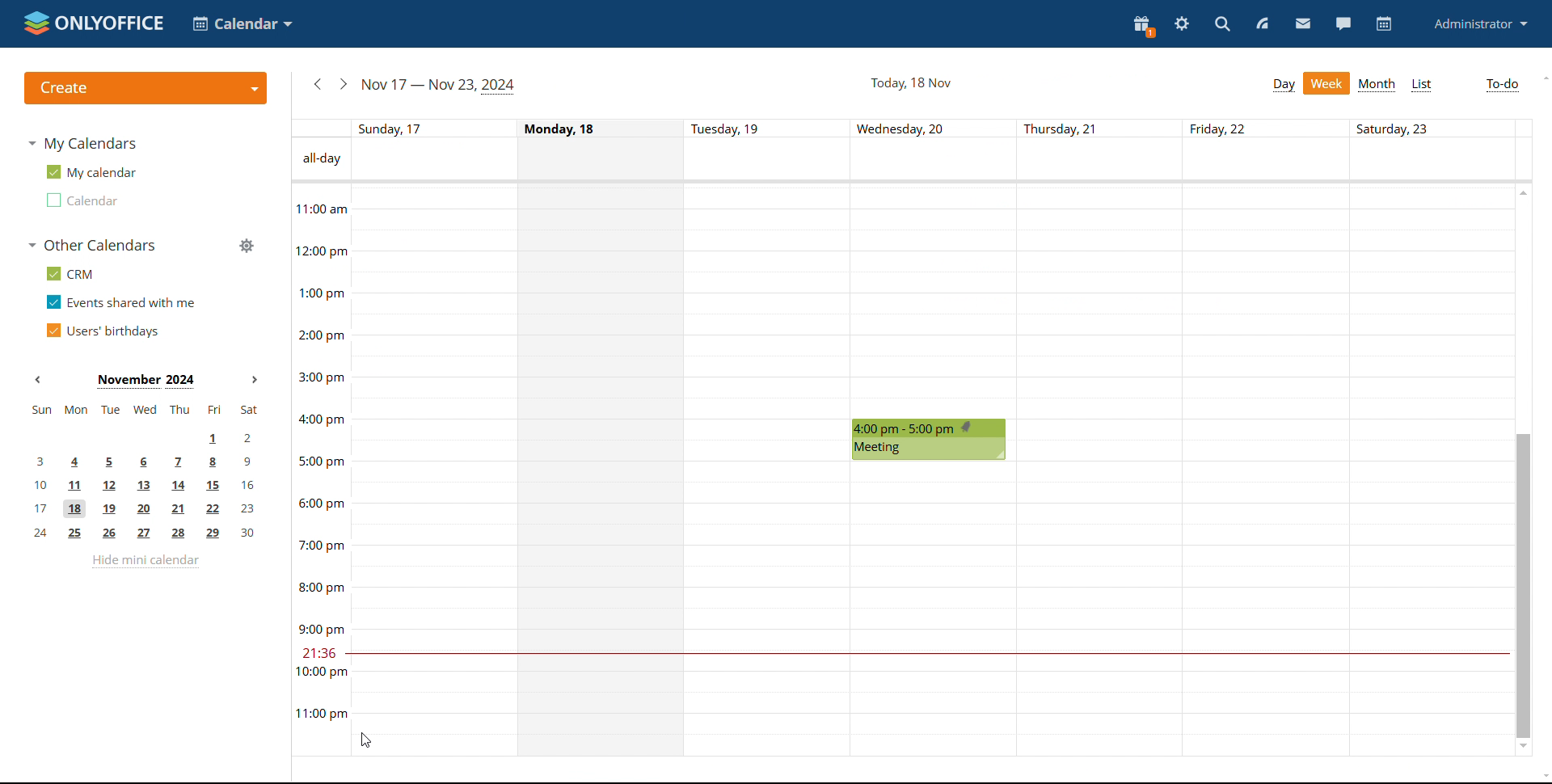 The width and height of the screenshot is (1552, 784). What do you see at coordinates (1522, 585) in the screenshot?
I see `scrollbar` at bounding box center [1522, 585].